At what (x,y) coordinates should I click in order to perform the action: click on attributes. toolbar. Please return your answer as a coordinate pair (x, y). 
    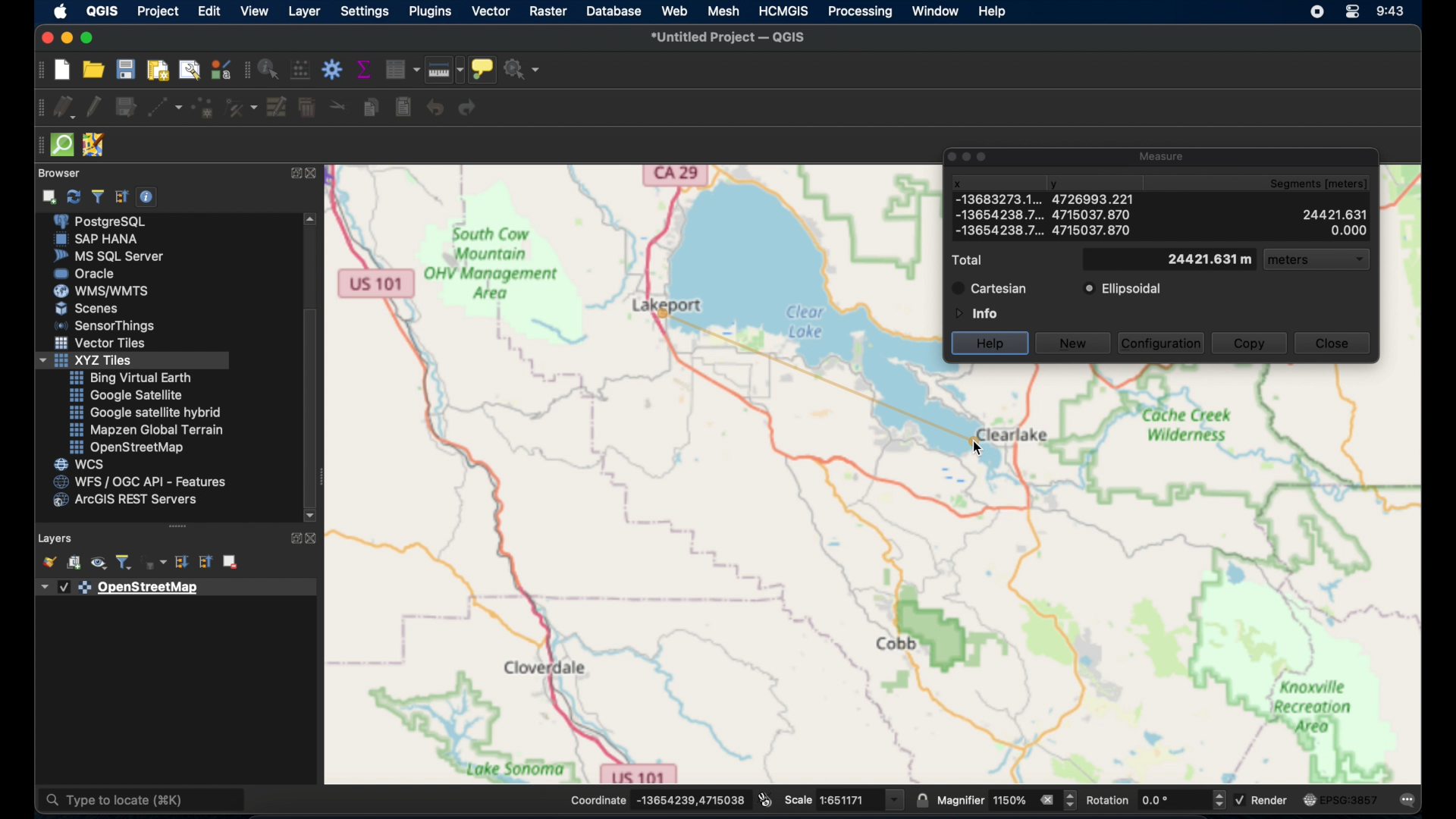
    Looking at the image, I should click on (245, 71).